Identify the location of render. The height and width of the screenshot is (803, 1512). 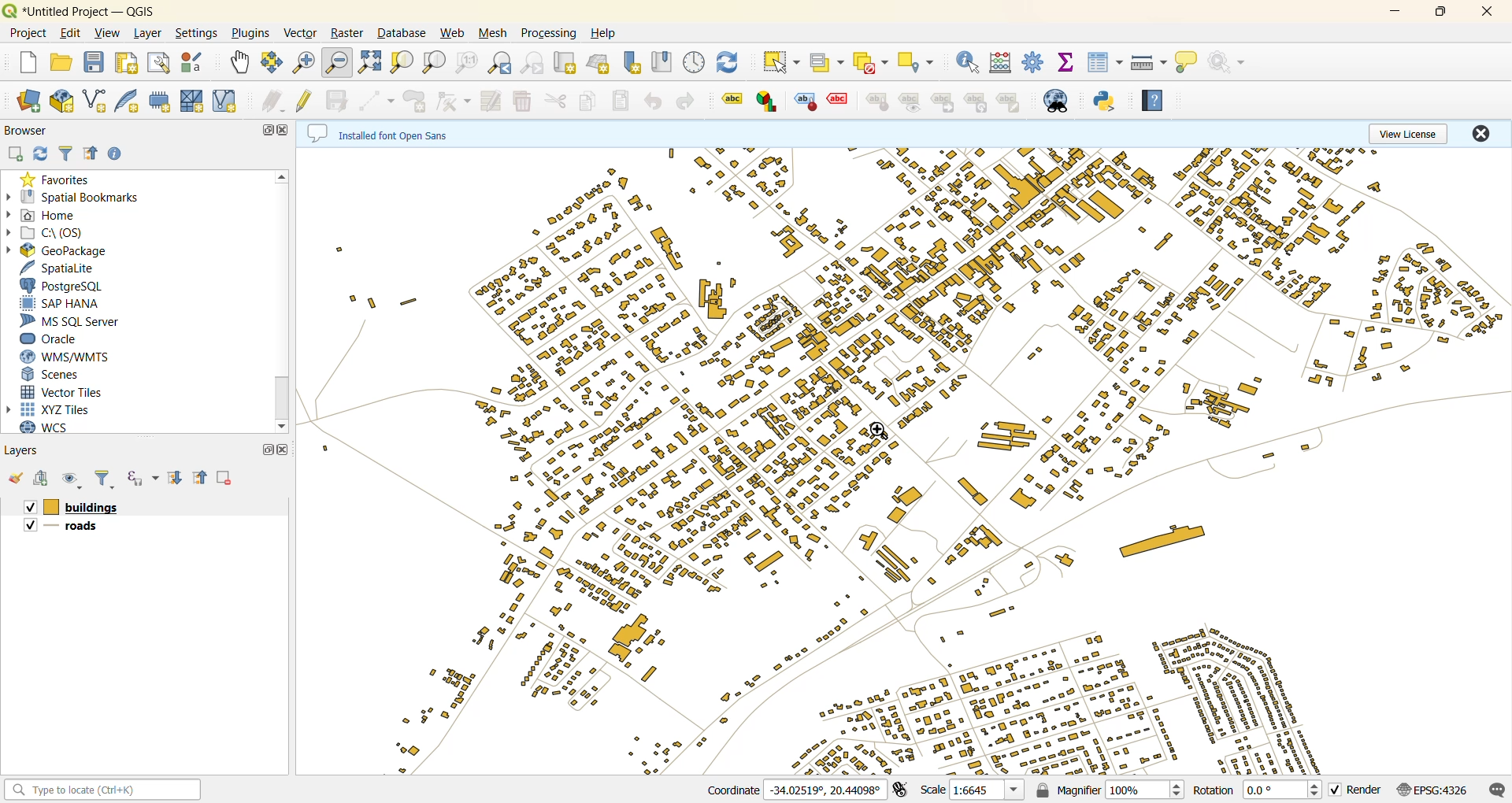
(1355, 790).